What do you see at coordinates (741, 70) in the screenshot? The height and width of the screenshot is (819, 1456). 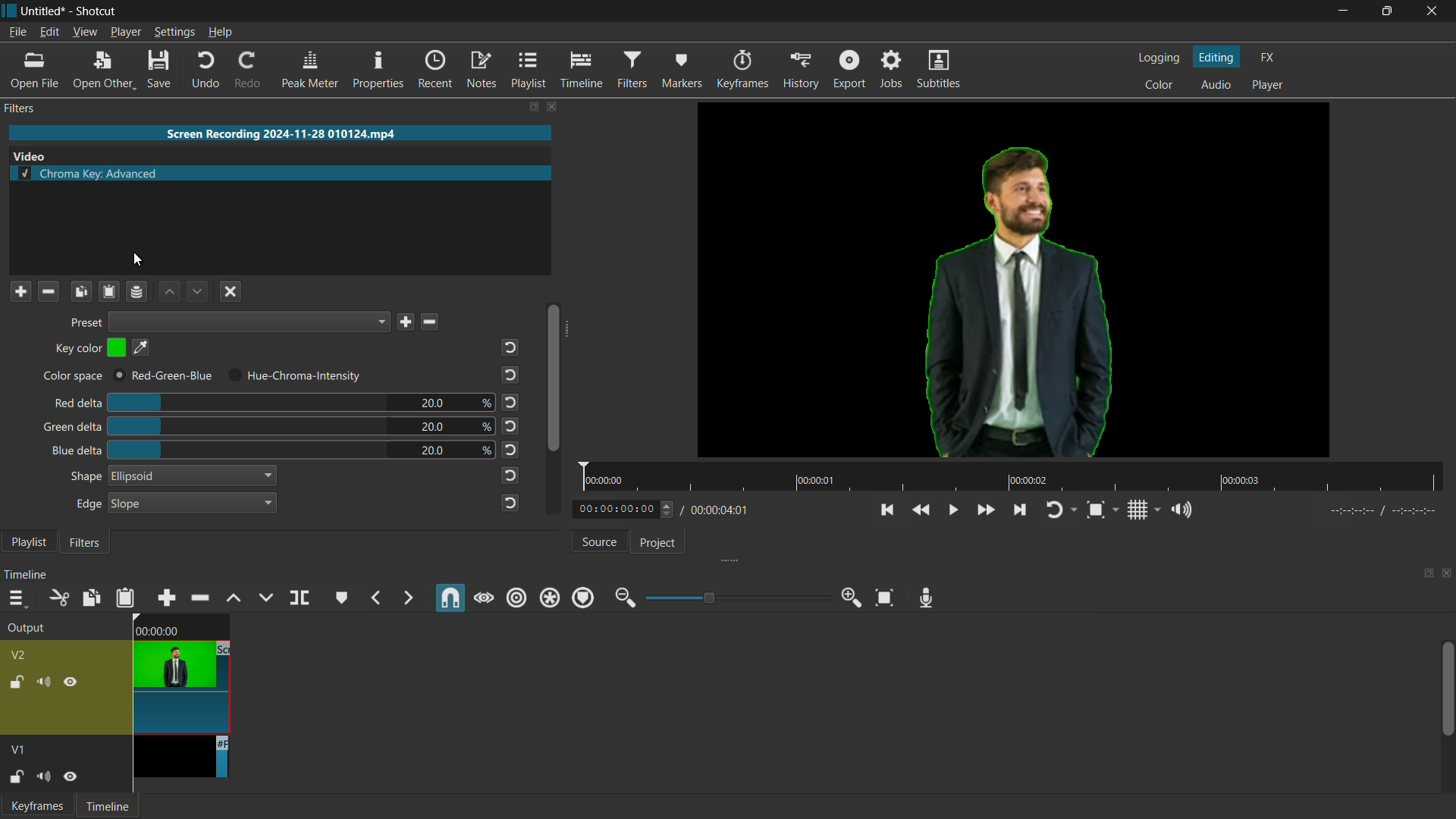 I see `keyframes` at bounding box center [741, 70].